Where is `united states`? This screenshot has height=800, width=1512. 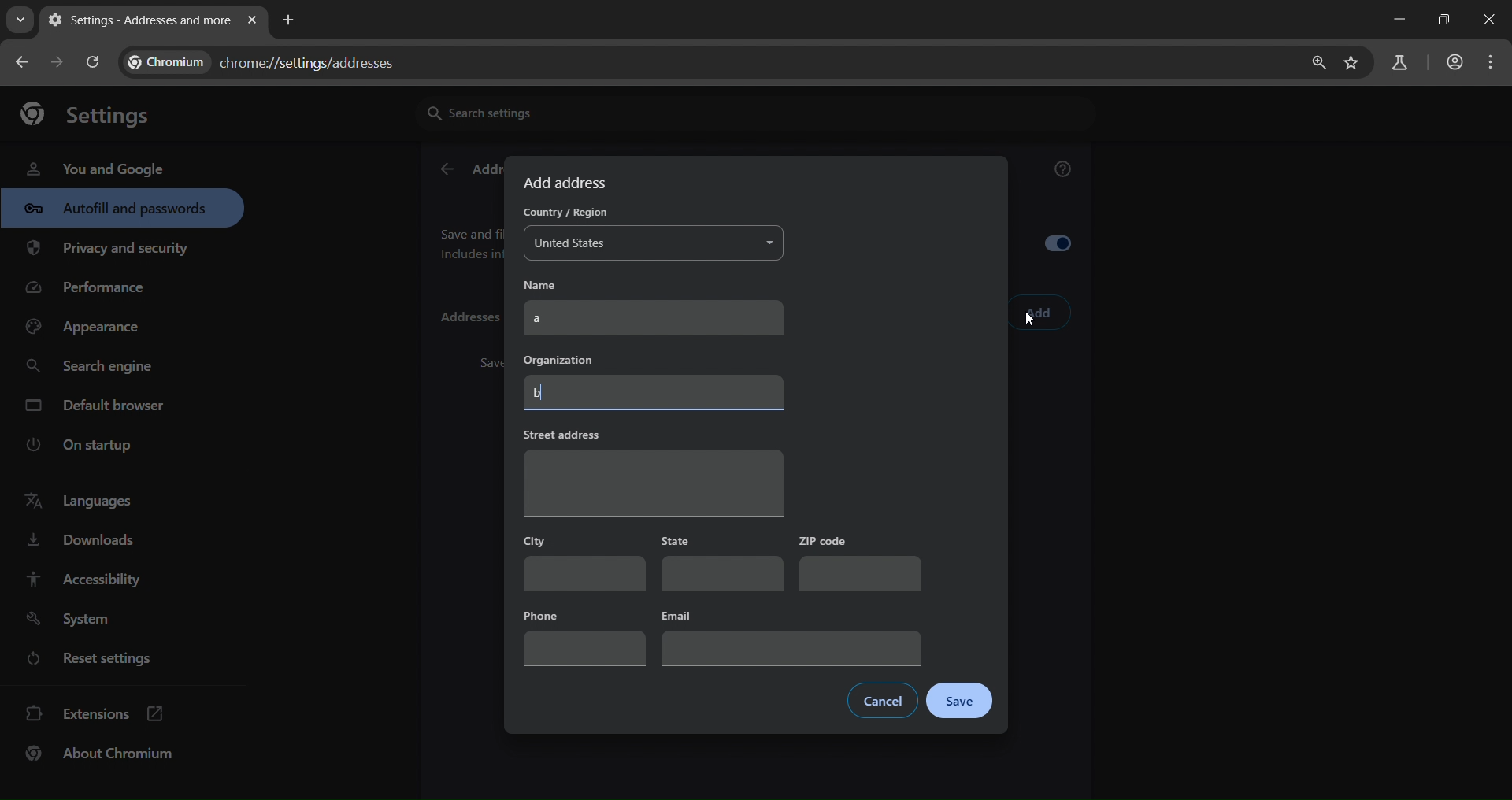 united states is located at coordinates (655, 244).